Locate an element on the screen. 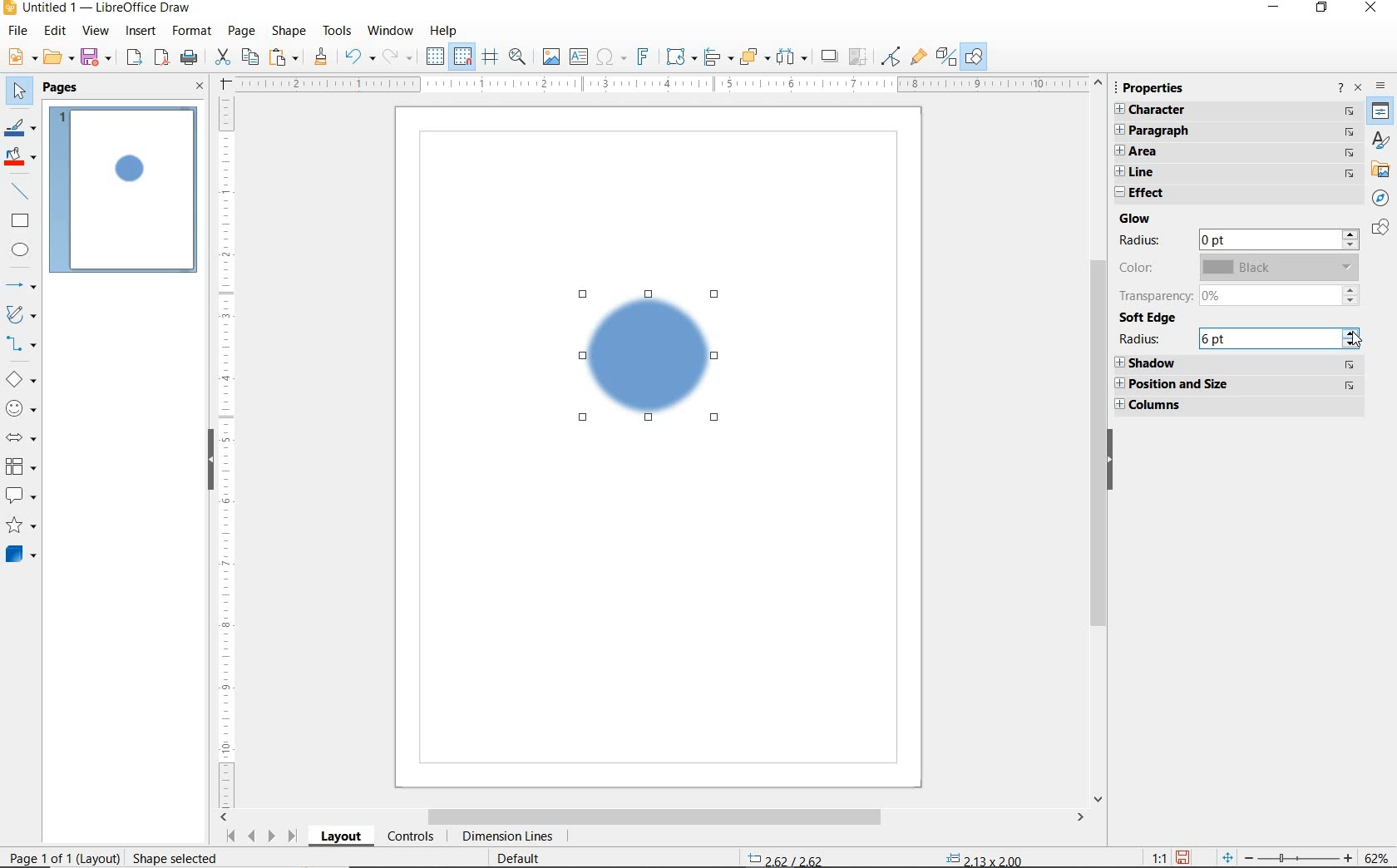  LINE COLOR is located at coordinates (22, 130).